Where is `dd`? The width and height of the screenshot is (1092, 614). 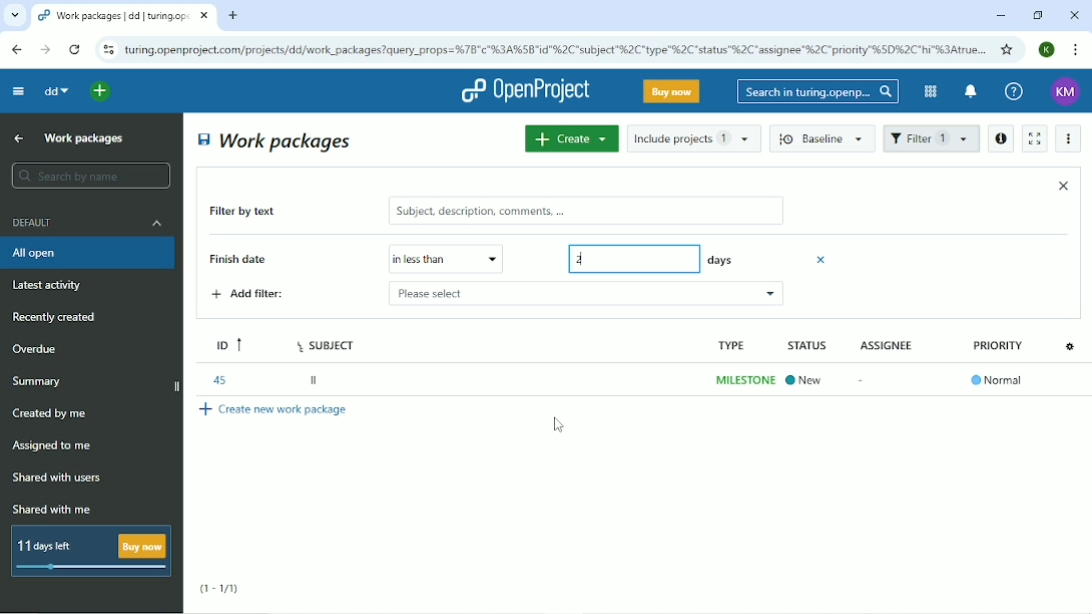
dd is located at coordinates (55, 91).